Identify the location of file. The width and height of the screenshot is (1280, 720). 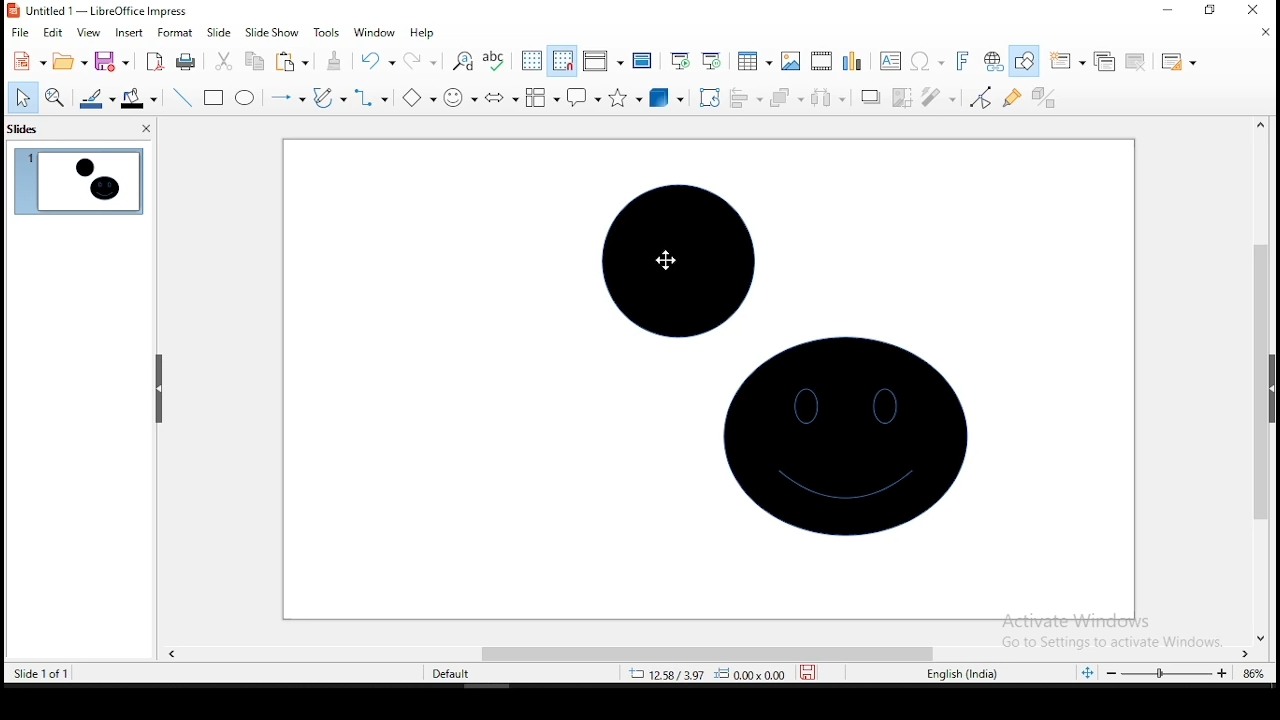
(19, 32).